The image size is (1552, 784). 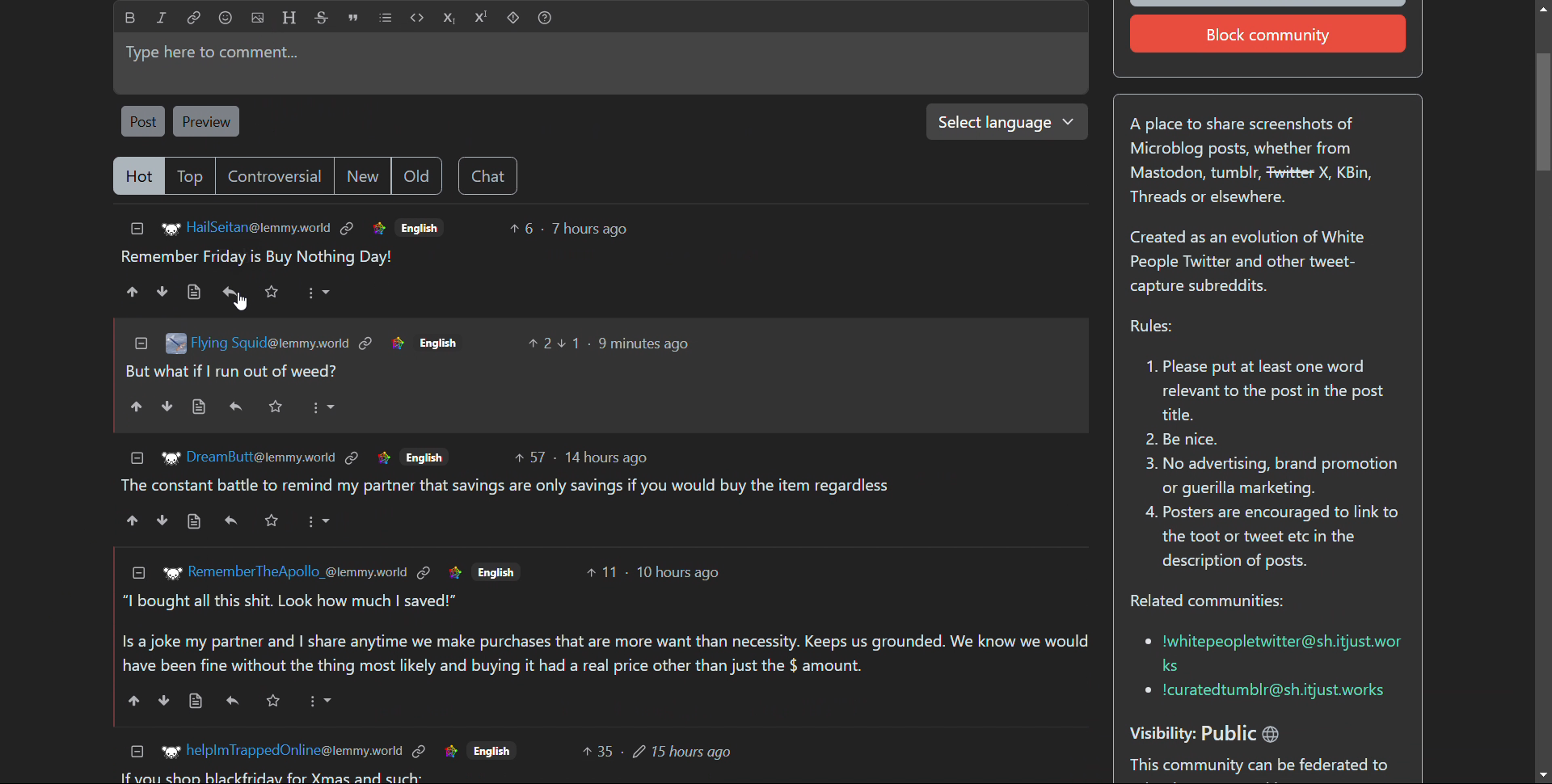 I want to click on collapse, so click(x=137, y=573).